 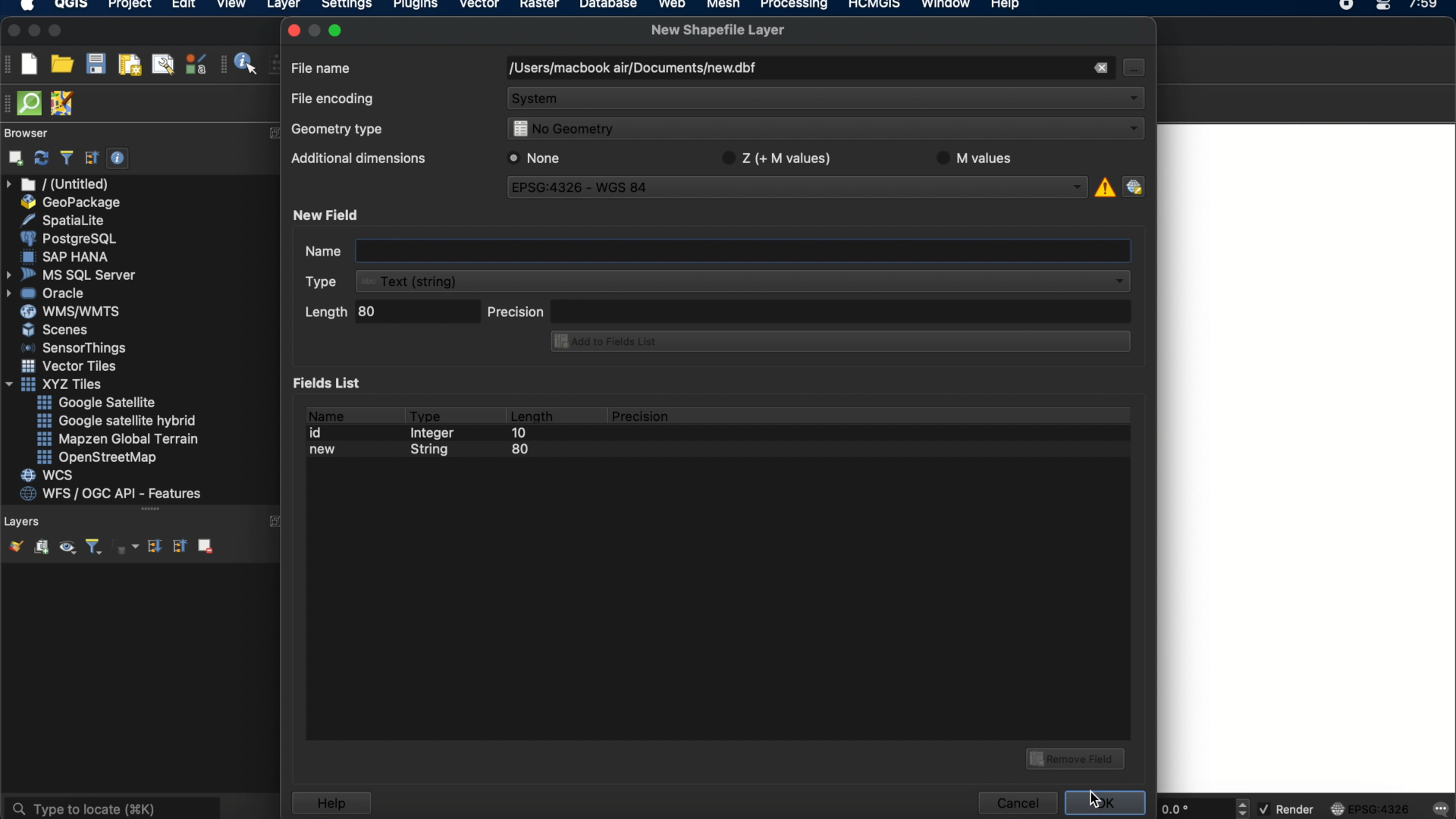 I want to click on sap hana, so click(x=67, y=256).